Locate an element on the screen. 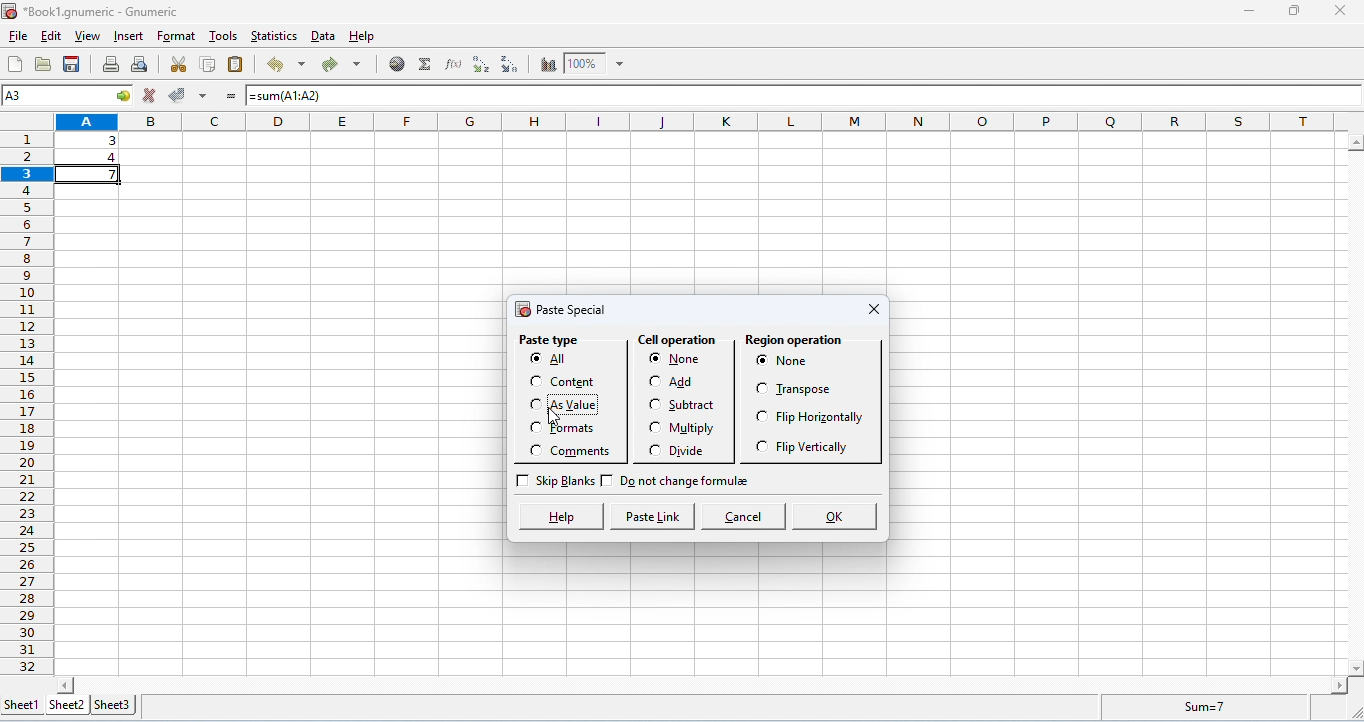 This screenshot has width=1364, height=722. cancel is located at coordinates (743, 515).